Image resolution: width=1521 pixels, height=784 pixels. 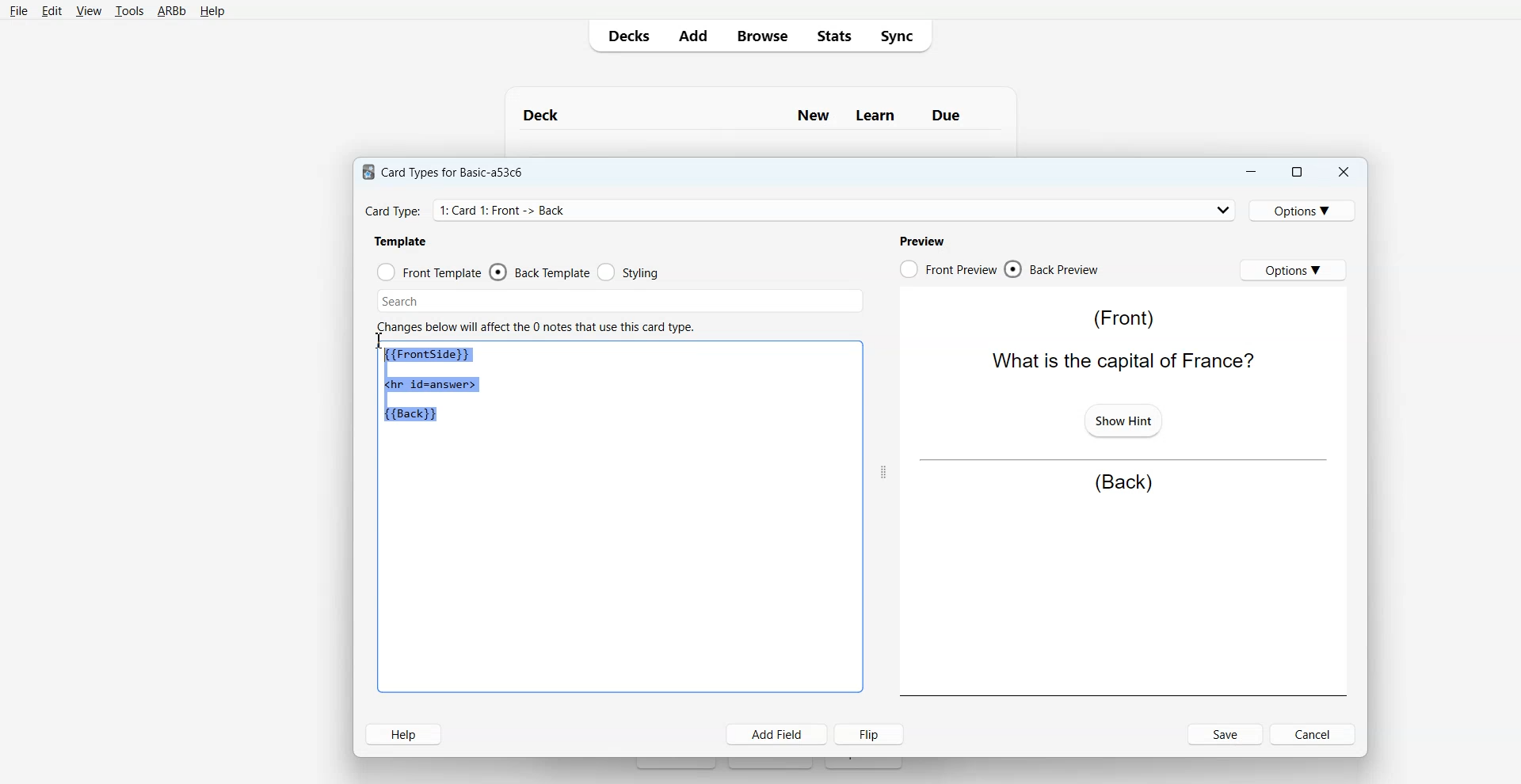 I want to click on Front Preview, so click(x=947, y=269).